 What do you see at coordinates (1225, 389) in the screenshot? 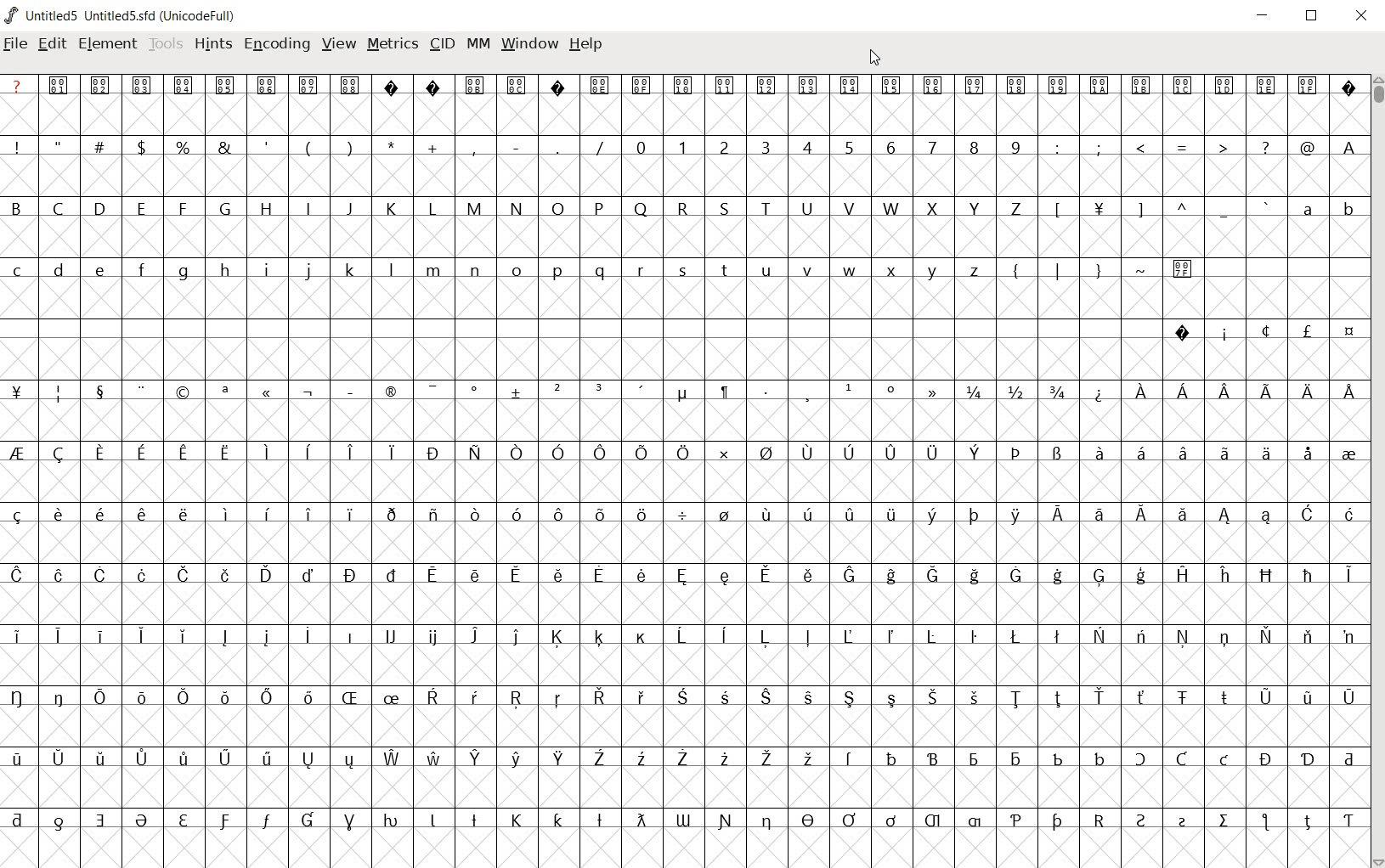
I see `` at bounding box center [1225, 389].